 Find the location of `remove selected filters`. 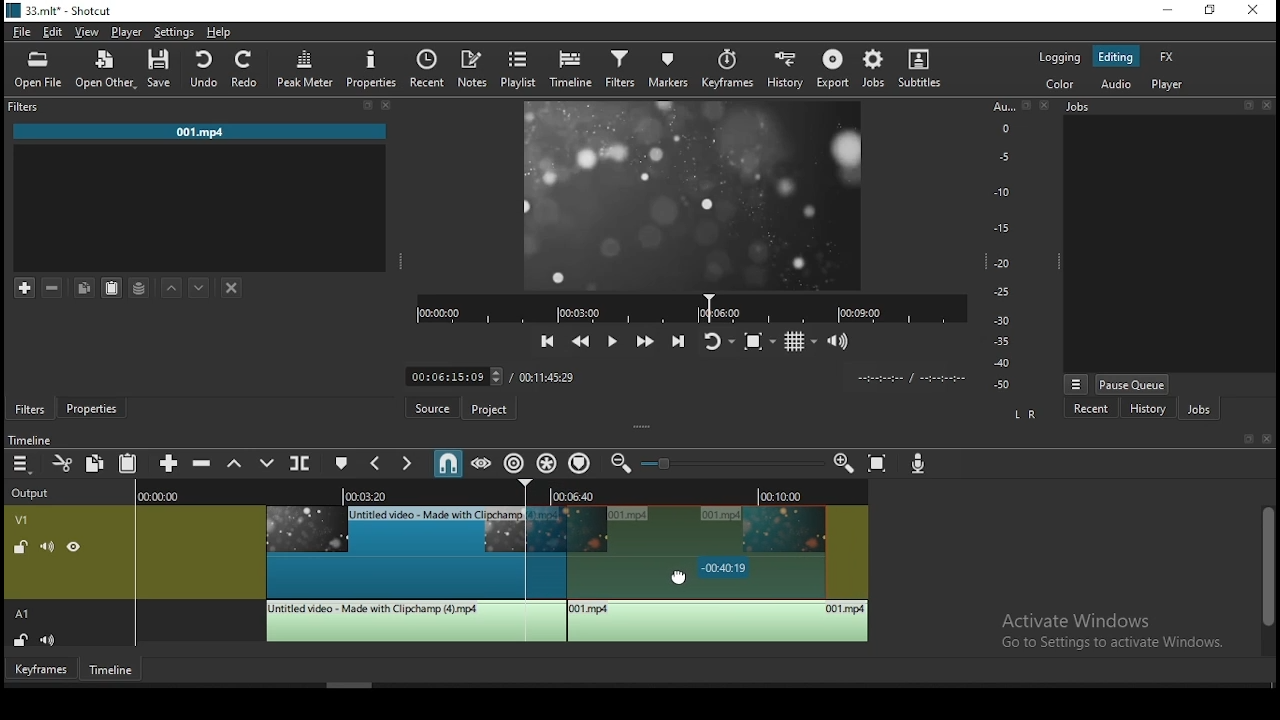

remove selected filters is located at coordinates (55, 285).